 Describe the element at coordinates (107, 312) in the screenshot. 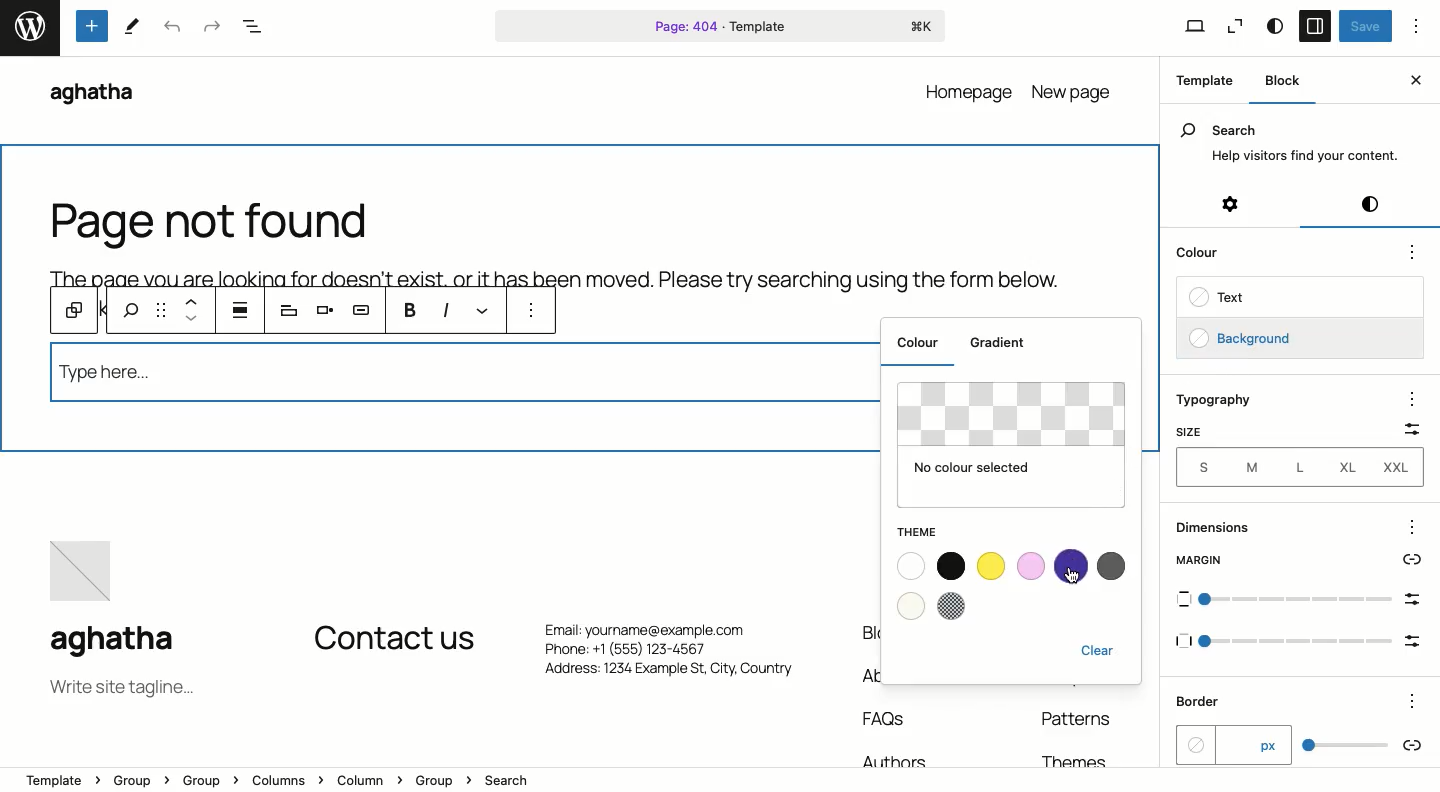

I see `previous tools` at that location.